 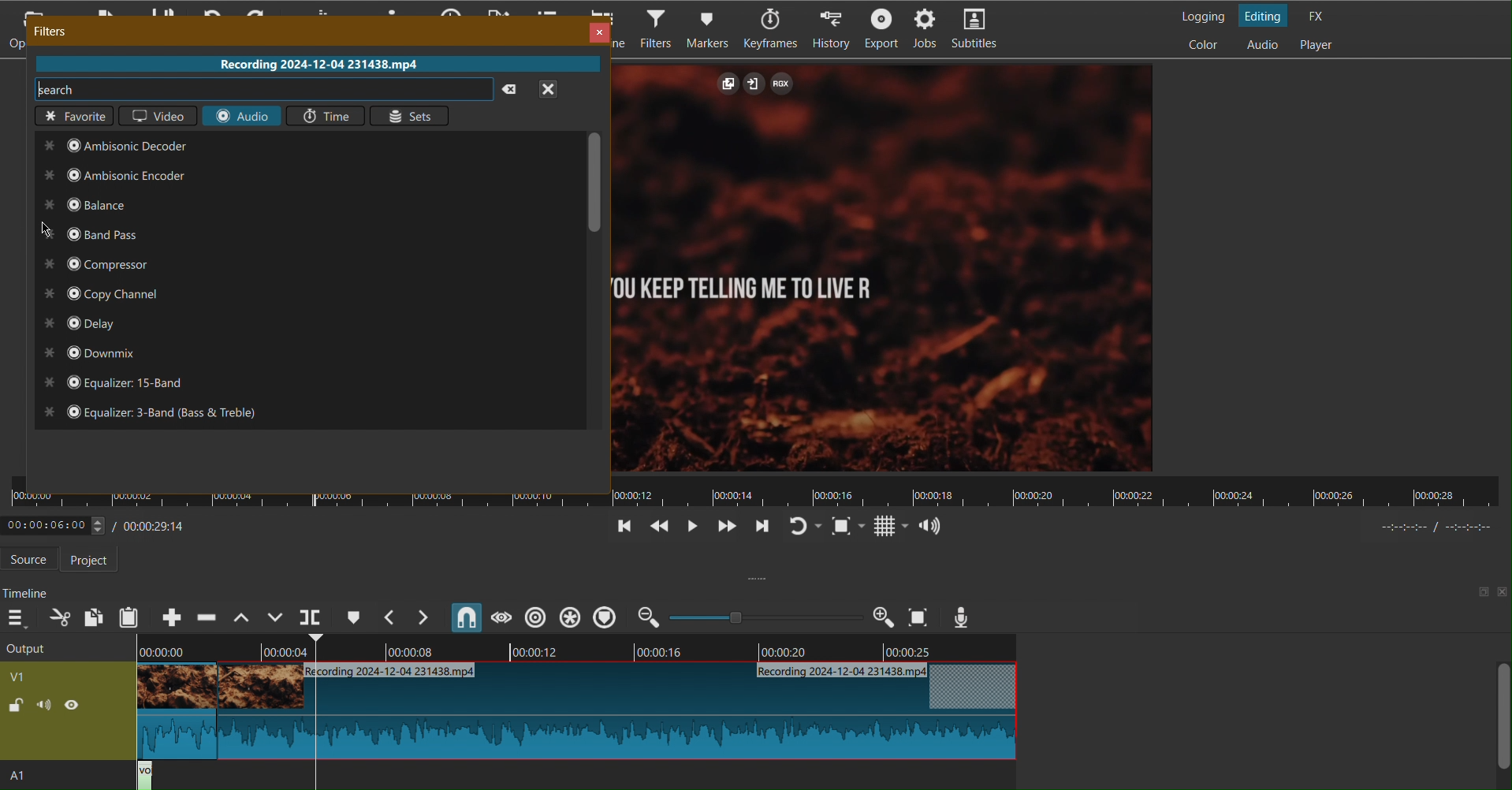 I want to click on Cue, so click(x=353, y=617).